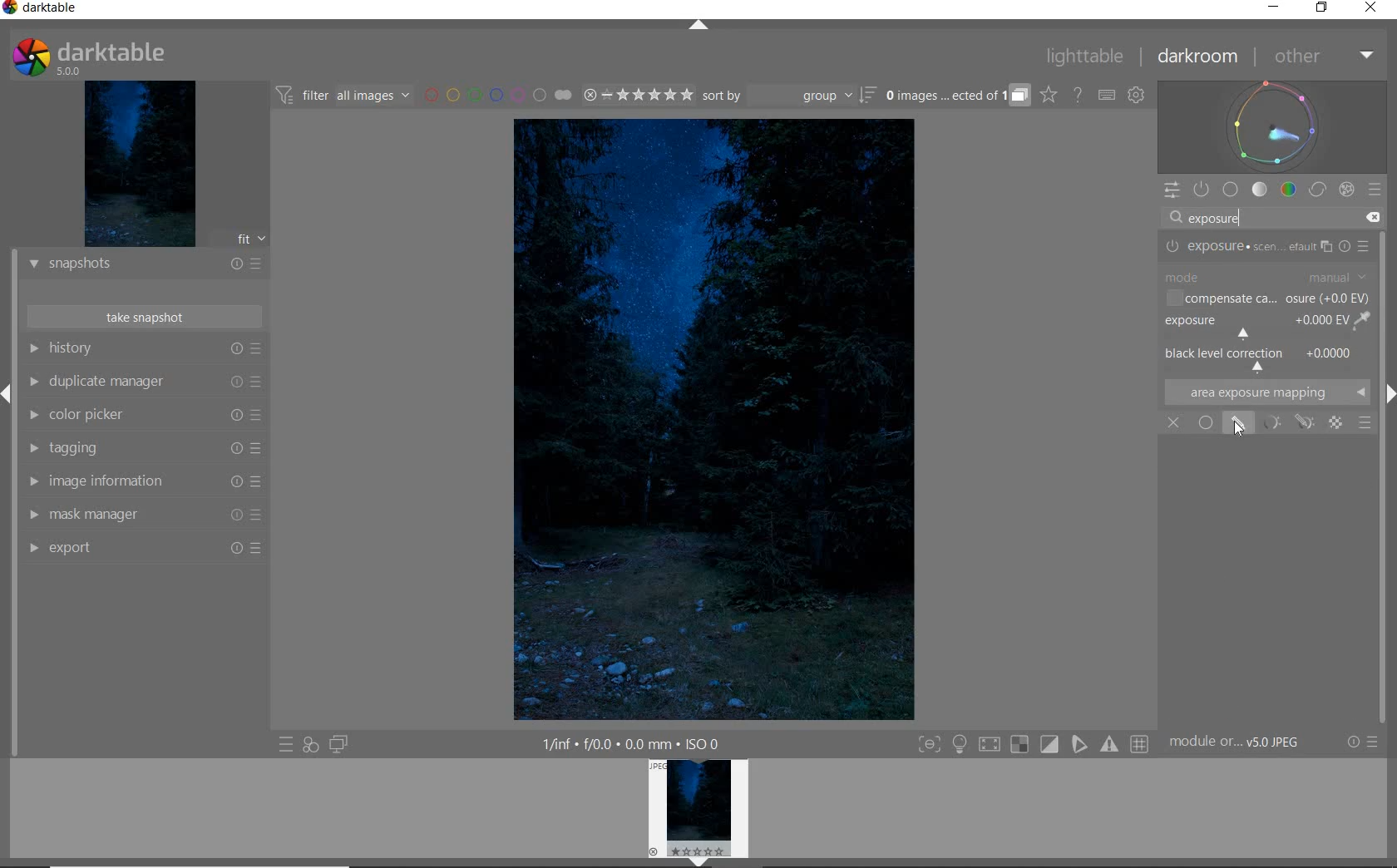 The height and width of the screenshot is (868, 1397). What do you see at coordinates (146, 318) in the screenshot?
I see `TAKE SNAPSHOT` at bounding box center [146, 318].